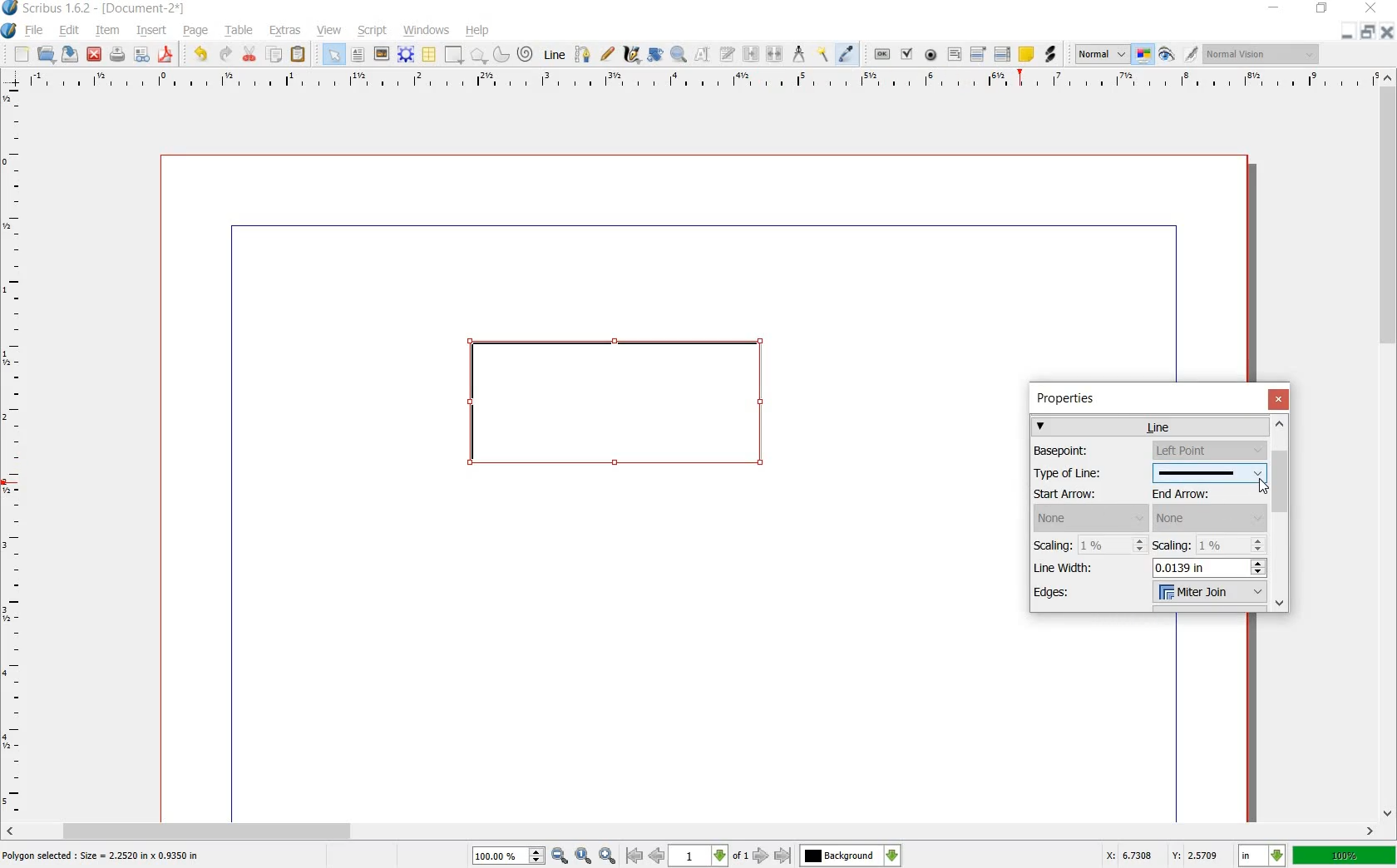 Image resolution: width=1397 pixels, height=868 pixels. Describe the element at coordinates (240, 32) in the screenshot. I see `TABLE` at that location.